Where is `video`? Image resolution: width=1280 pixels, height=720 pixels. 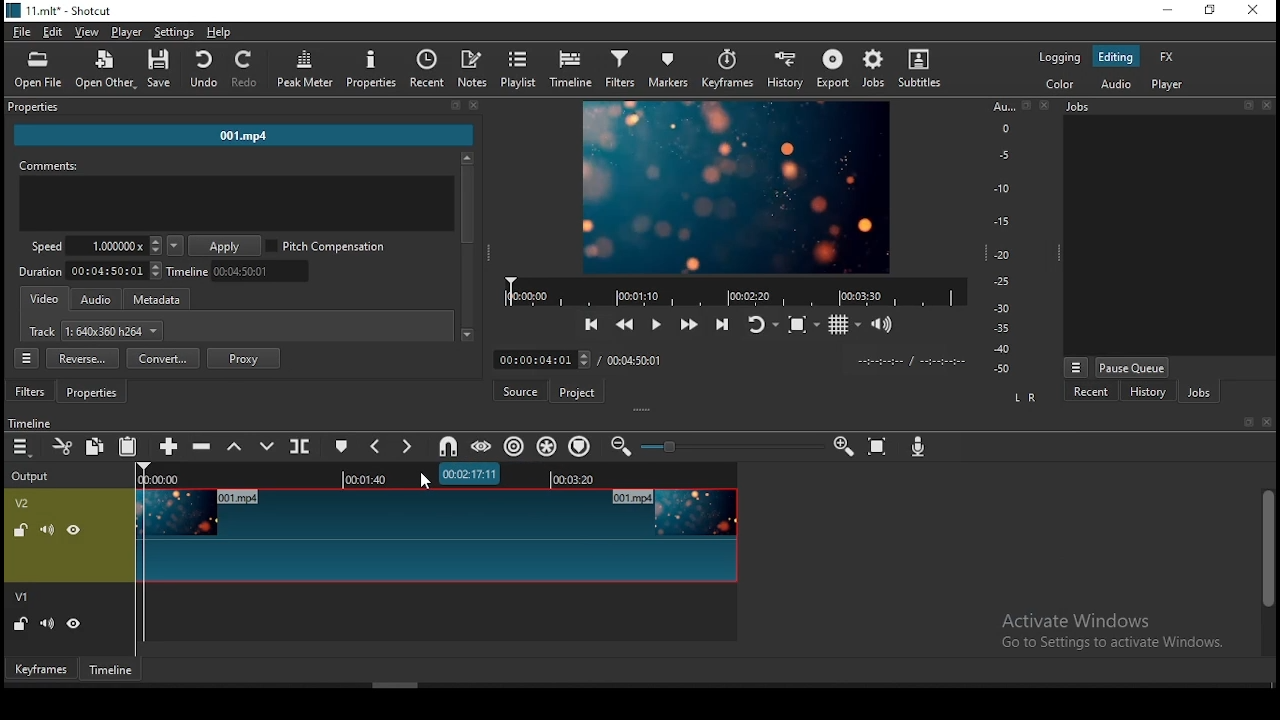
video is located at coordinates (46, 300).